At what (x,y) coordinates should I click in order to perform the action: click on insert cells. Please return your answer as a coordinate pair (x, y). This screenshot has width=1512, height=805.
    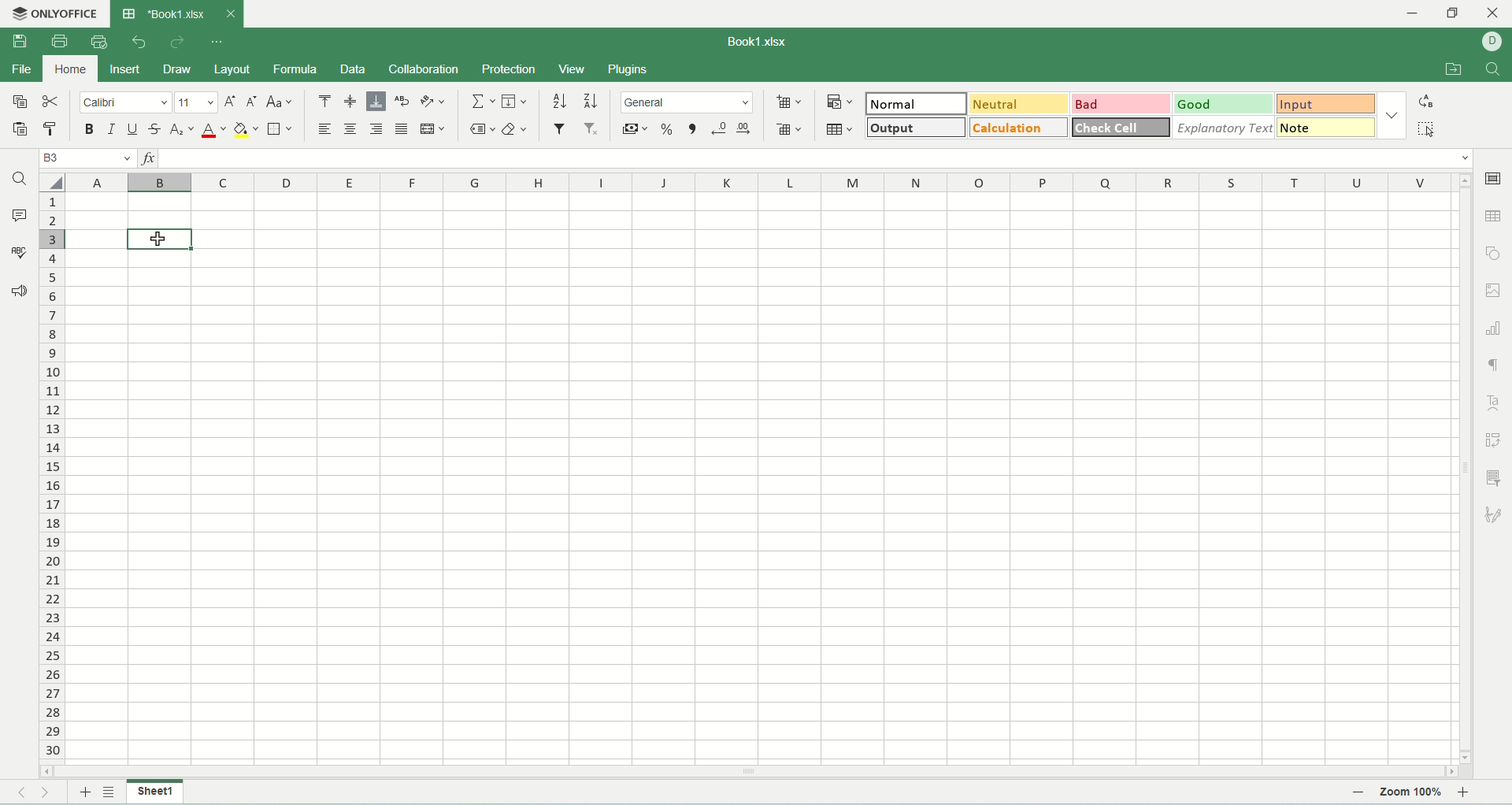
    Looking at the image, I should click on (787, 103).